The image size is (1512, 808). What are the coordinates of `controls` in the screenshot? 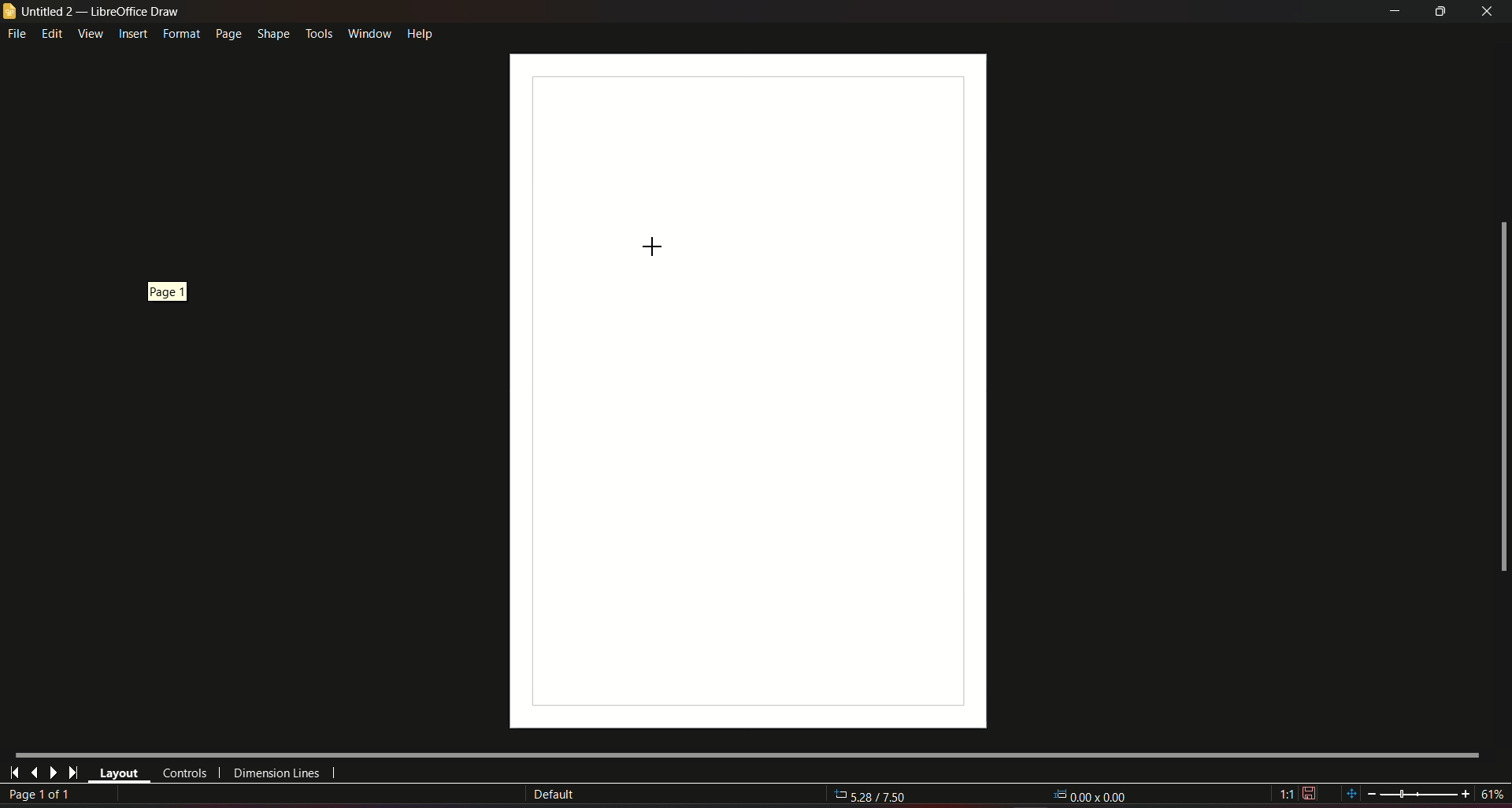 It's located at (183, 773).